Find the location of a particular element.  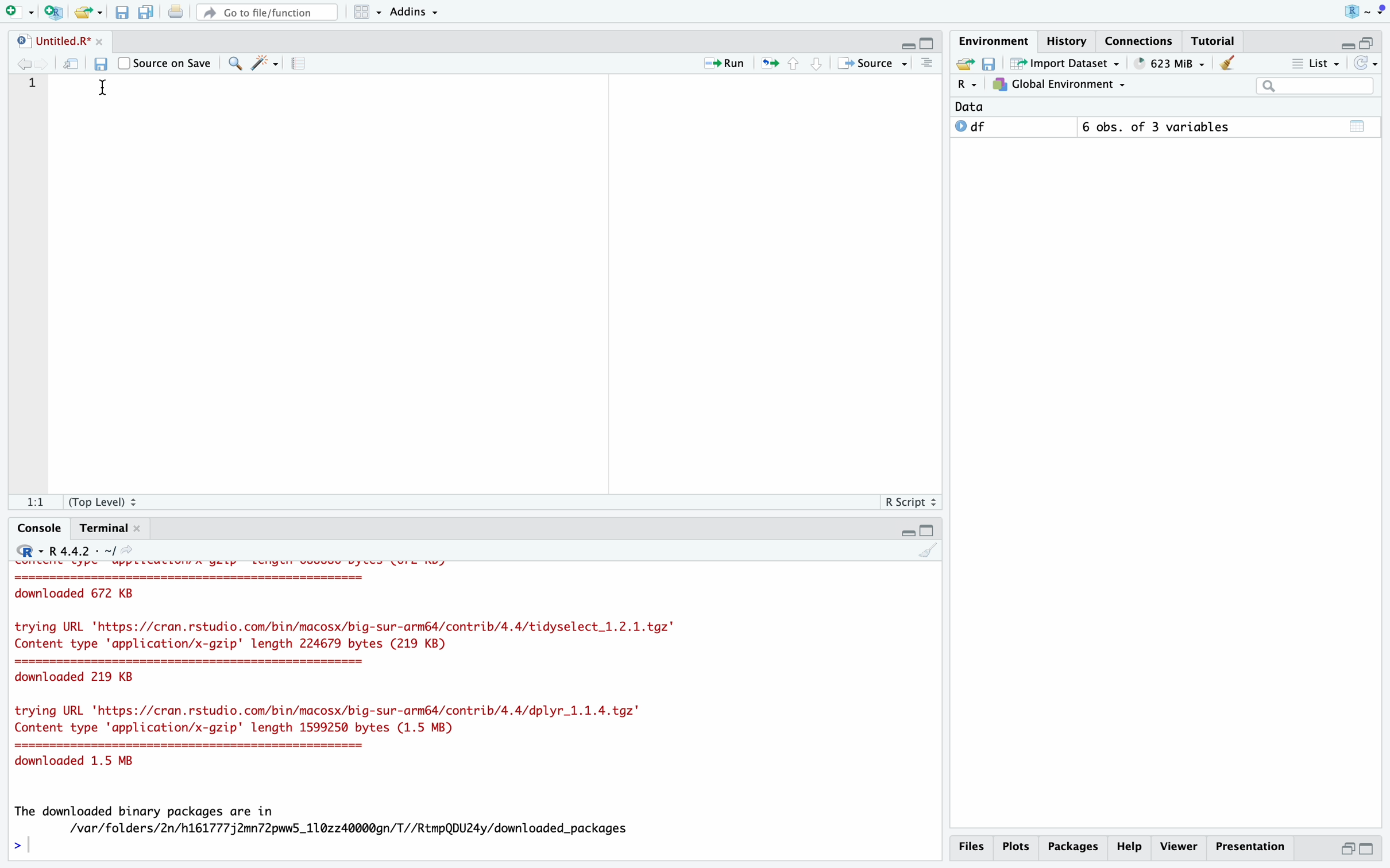

PASE FE SHEERS SERS REVERE Sty SSE au S SSH SUE SECC pS RS SR SHR Sp ASAP

downloaded 672 KB

trying URL 'https://cran.rstudio.com/bin/macosx/big-sur-armé4/contrib/4.4/tidyselect_1.2.1.tgz"

Content type 'application/x-gzip' length 224679 bytes (219 KB)

downloaded 219 KB

trying URL '"https://cran.rstudio.com/bin/macosx/big-sur-armé64/contrib/4.4/dplyr_1.1.4.tgz"

Content type 'application/x-gzip' length 1599250 bytes (1.5 MB)

downloaded 1.5 MB

The downloaded binary packages are in
/var/folders/2n/h161777j2mn72pwwS_110zz40000gn/T//RtmpQDU24y/downloaded_packages

> is located at coordinates (476, 710).